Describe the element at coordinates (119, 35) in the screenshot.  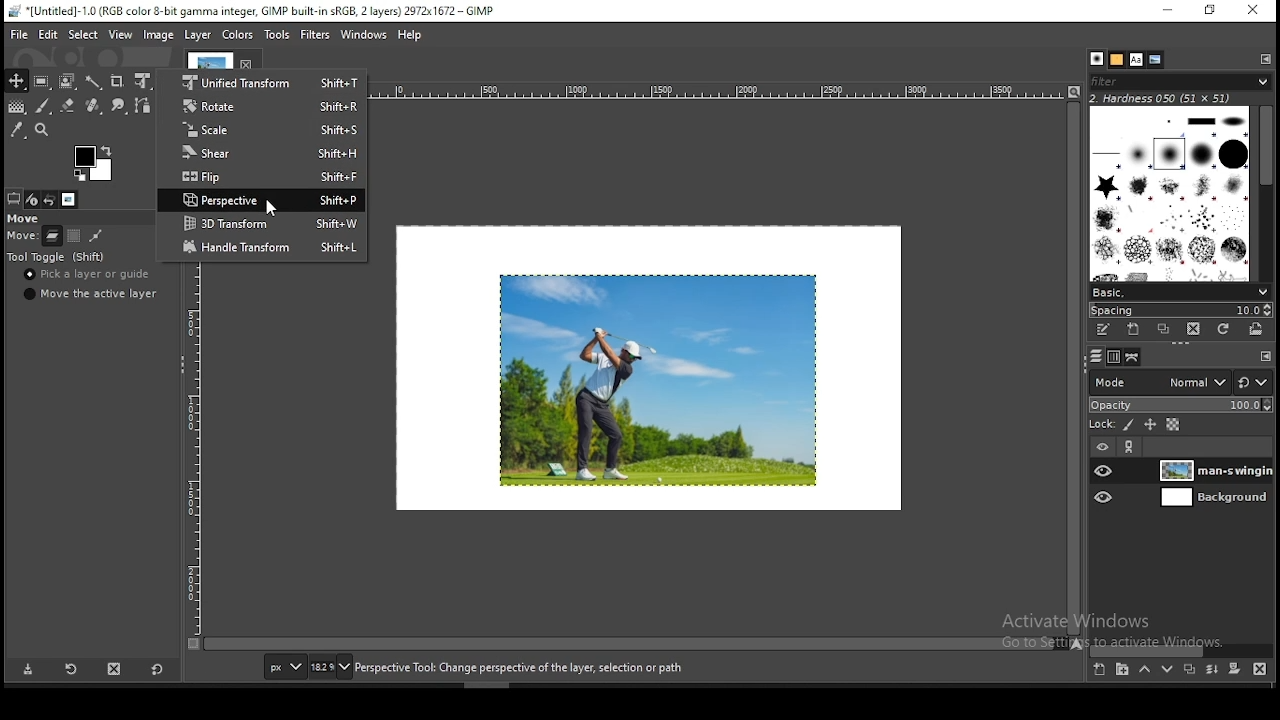
I see `view` at that location.